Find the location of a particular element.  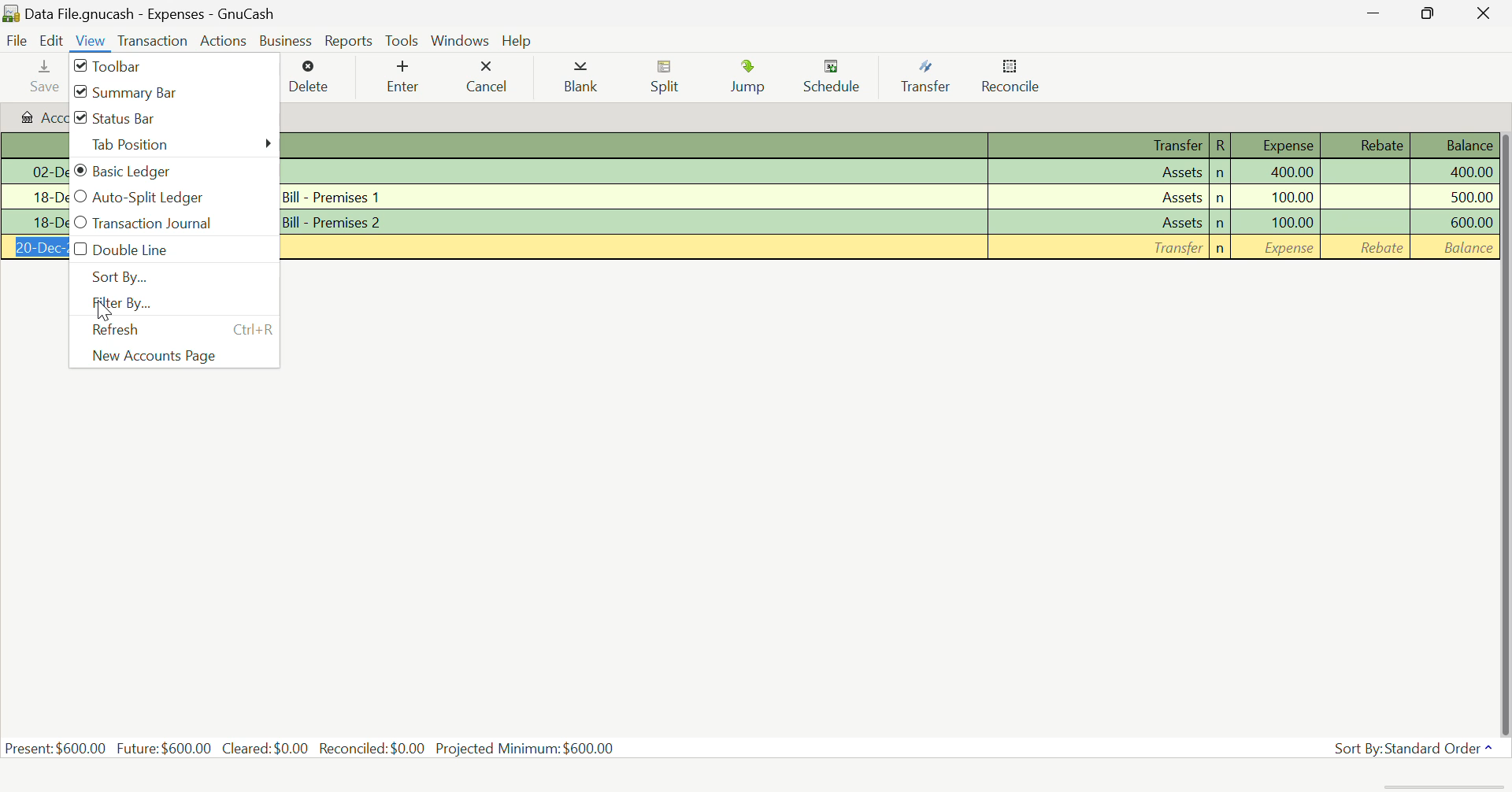

Blank is located at coordinates (581, 79).